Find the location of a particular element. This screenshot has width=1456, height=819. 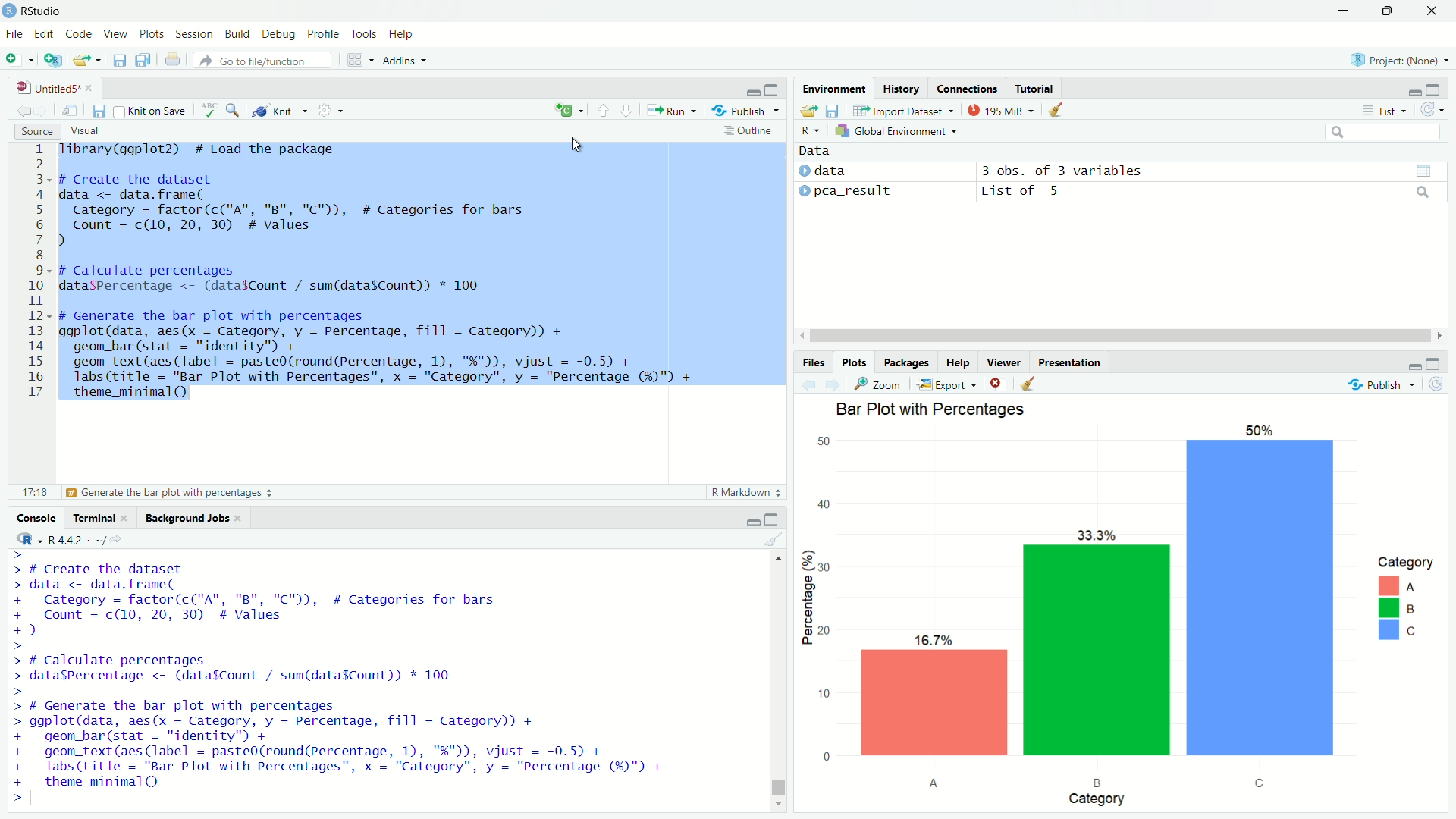

Code - library(ggplot2) # Load the package# Create the datasetdata <- data.frame(Category = factor(c("A", "B", "C"™)), # Categories for barsCount = c(10, 20, 30) # Values)# Calculate percentagesdataspercentage <- (datafCount / sum(datasCount)) * 100 I# Generate the bar plot with percentagesggplot(data, aes(x = Category, y = Percentage, fill = Category)) +geom_bar(stat = "identity") +geom_text (aes (label = paste0(round(Percentage, 1), "%")), vjust = -0.5) +Tabs(title = "Bar Plot with Percentages", x = "Category", y = "Percentage (%)") +theme_minimal OQ is located at coordinates (381, 274).